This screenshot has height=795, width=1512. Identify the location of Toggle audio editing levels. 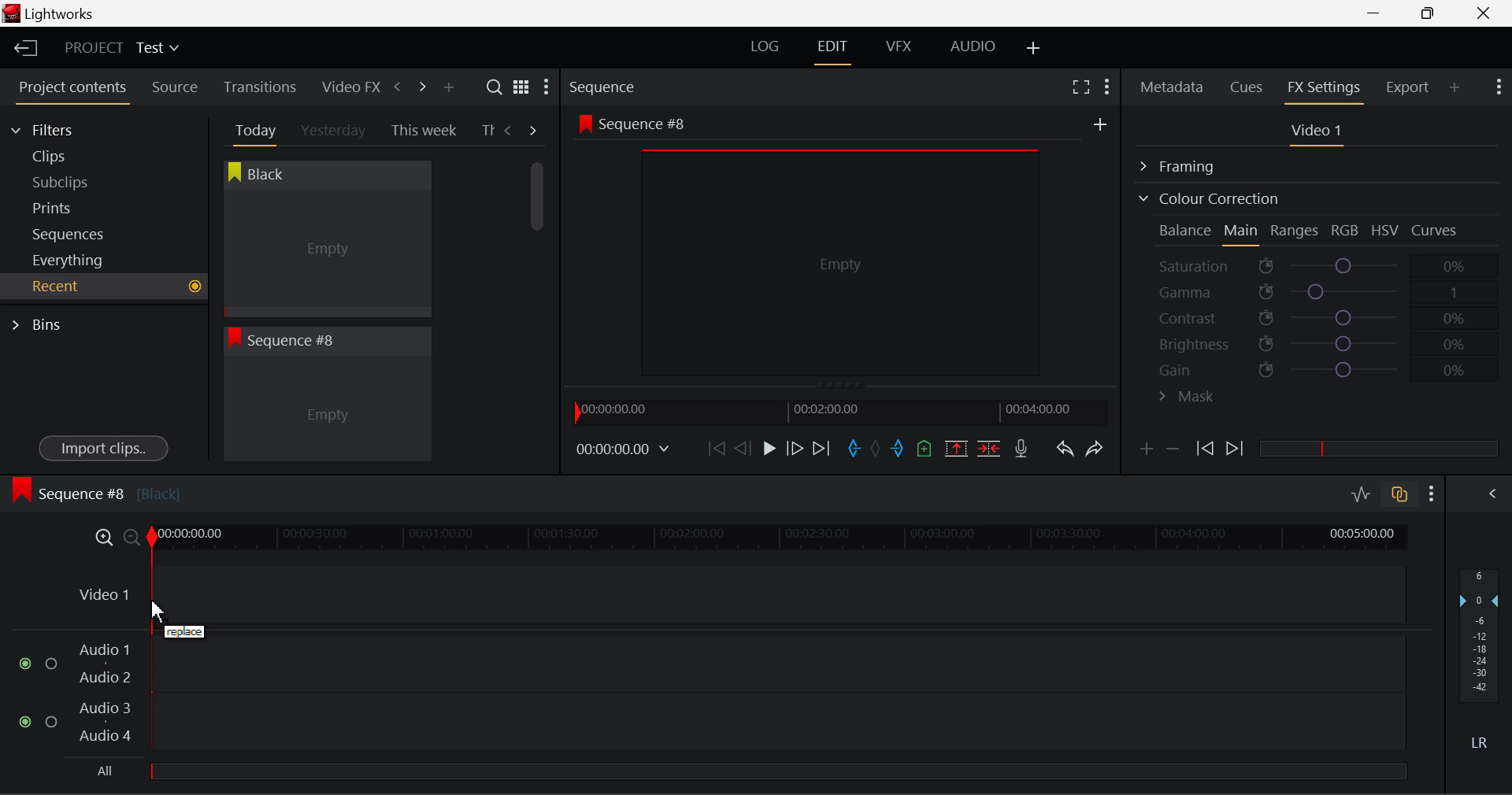
(1362, 492).